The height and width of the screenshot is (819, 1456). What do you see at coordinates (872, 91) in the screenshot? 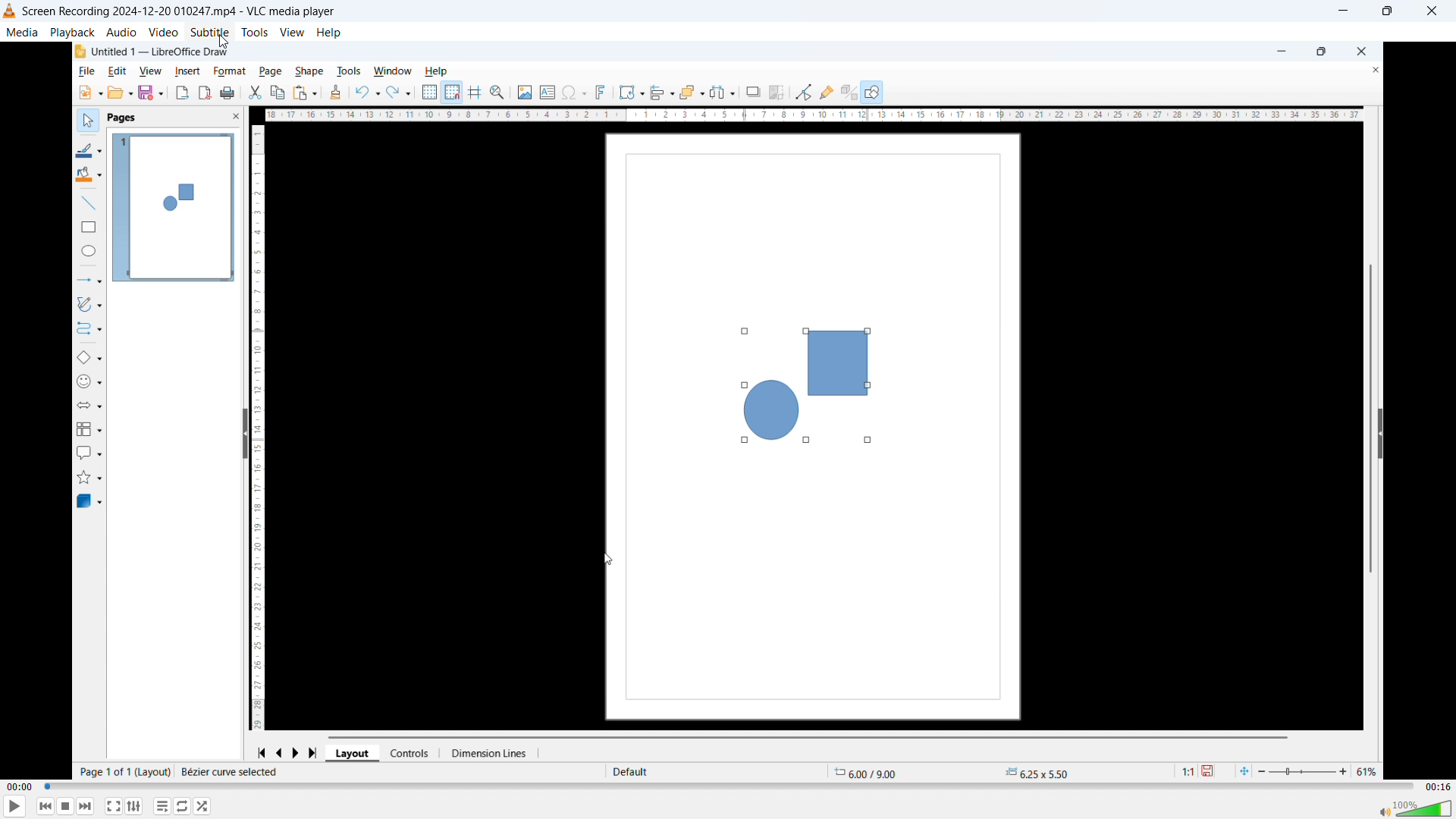
I see `show draw function` at bounding box center [872, 91].